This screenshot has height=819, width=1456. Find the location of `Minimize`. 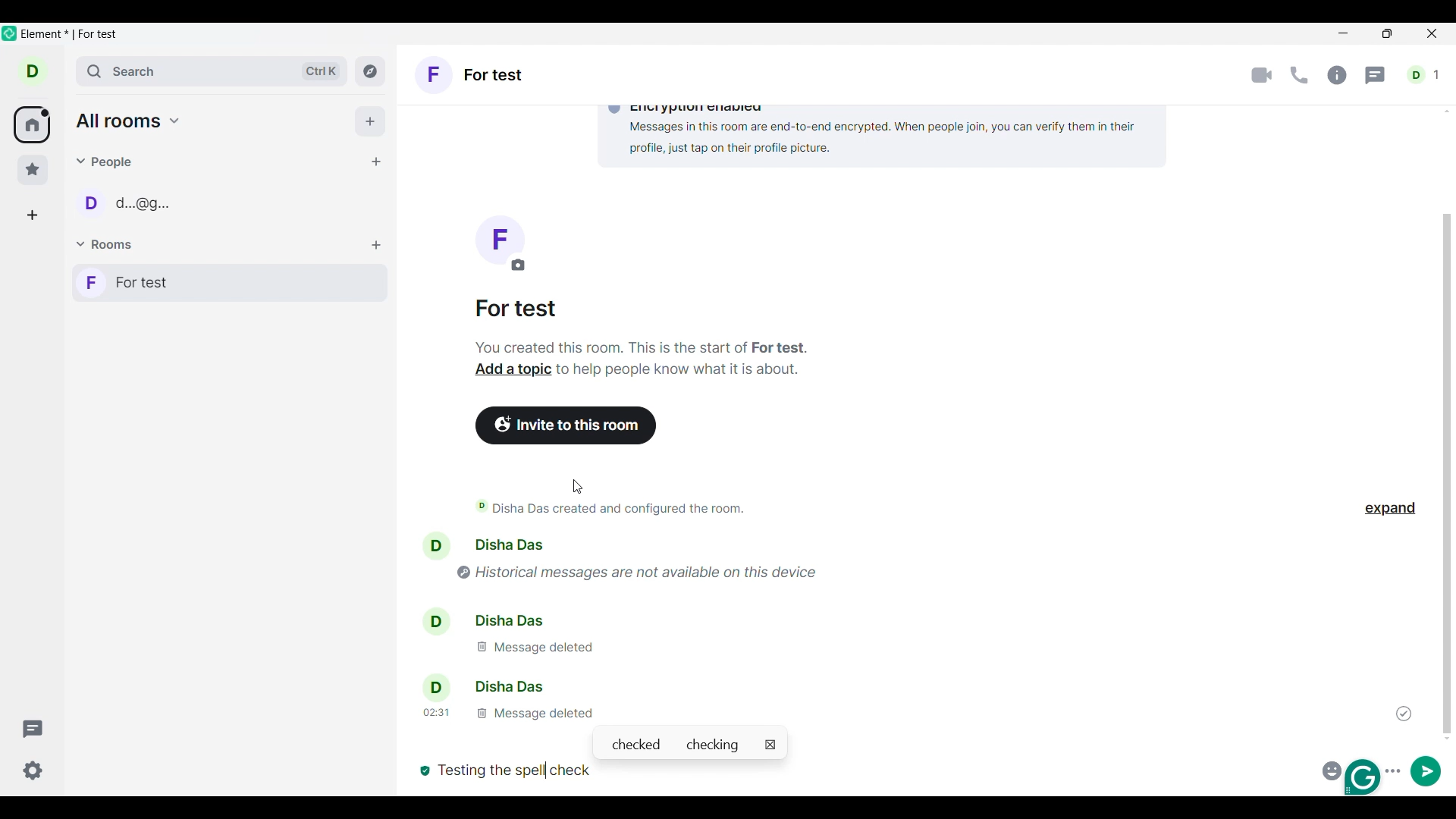

Minimize is located at coordinates (1344, 33).